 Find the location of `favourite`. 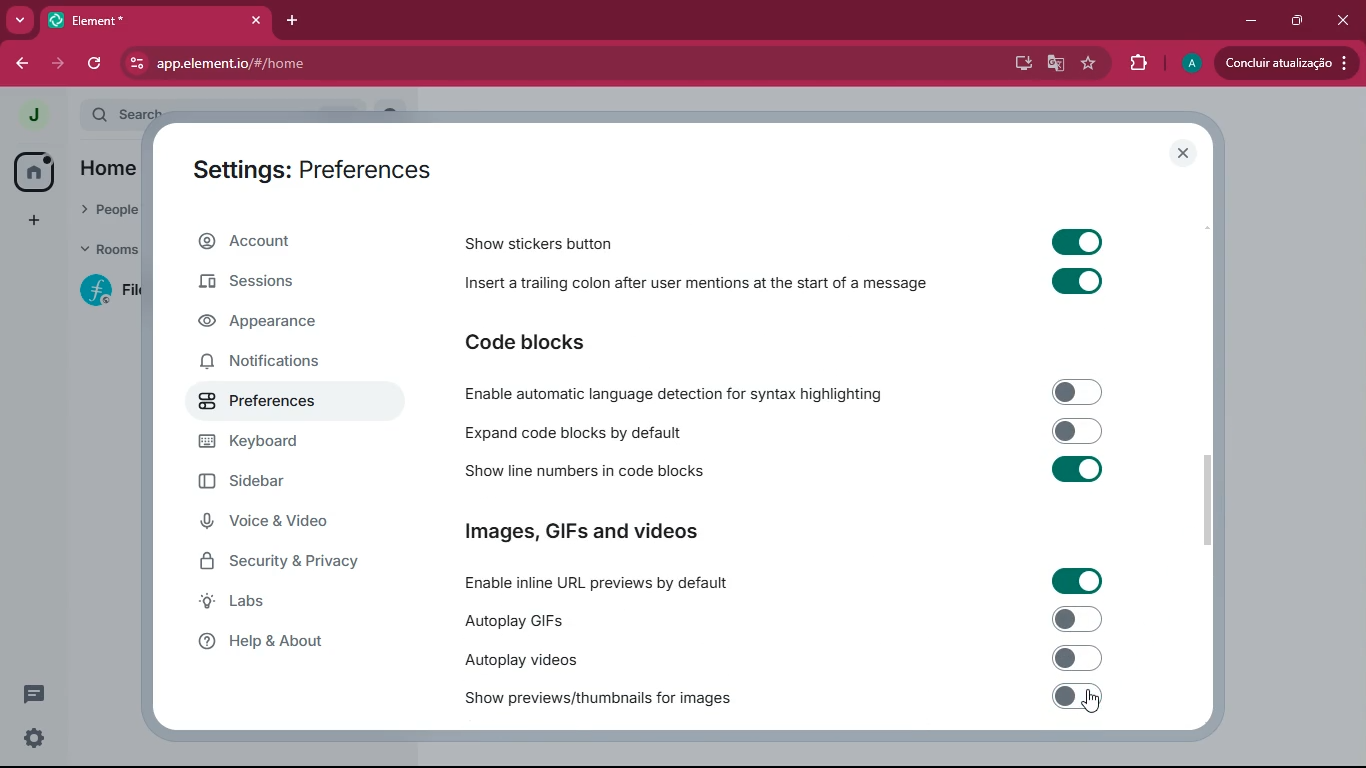

favourite is located at coordinates (1087, 64).